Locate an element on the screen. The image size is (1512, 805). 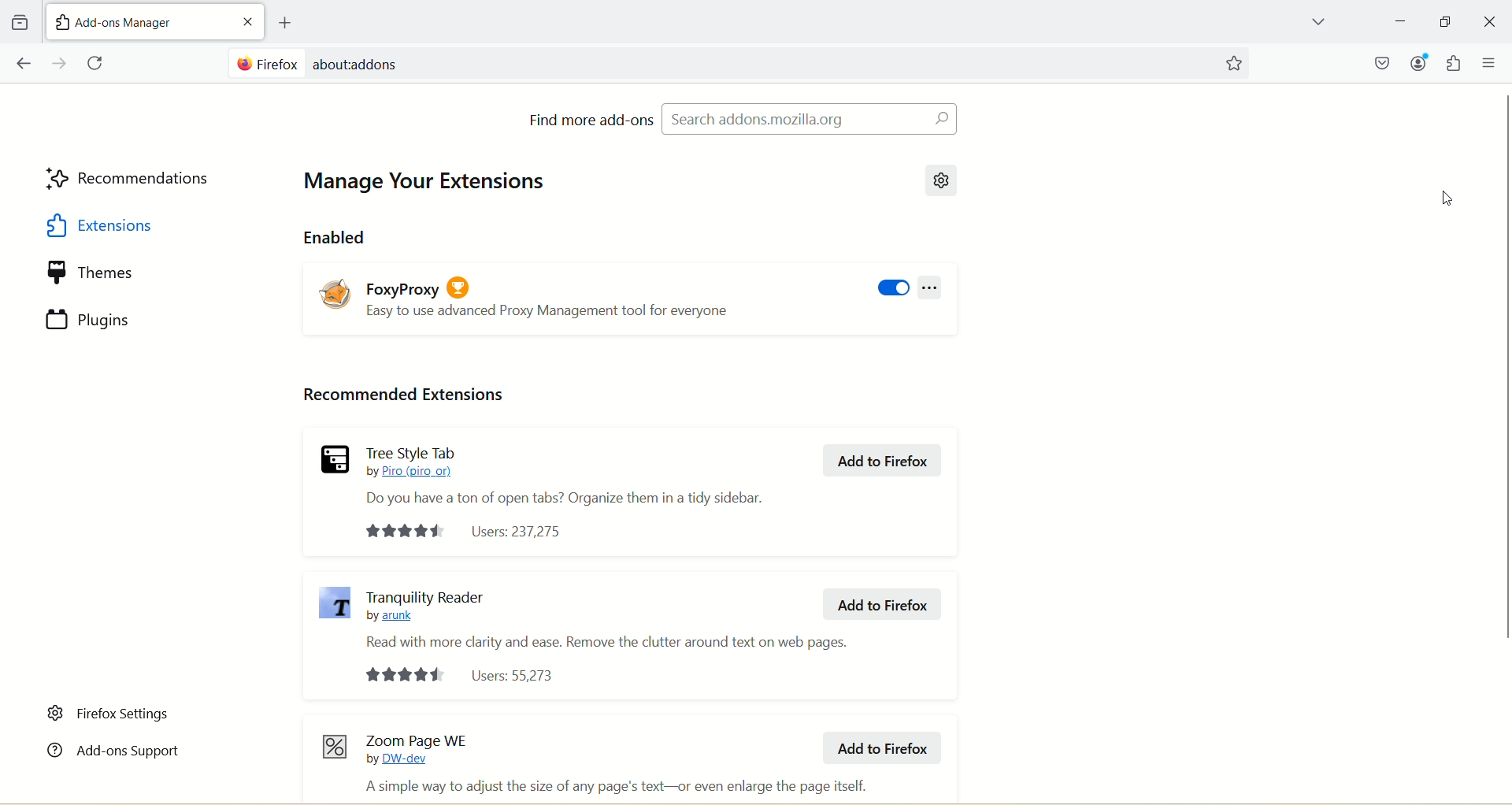
Tranquility Reader Icon is located at coordinates (335, 604).